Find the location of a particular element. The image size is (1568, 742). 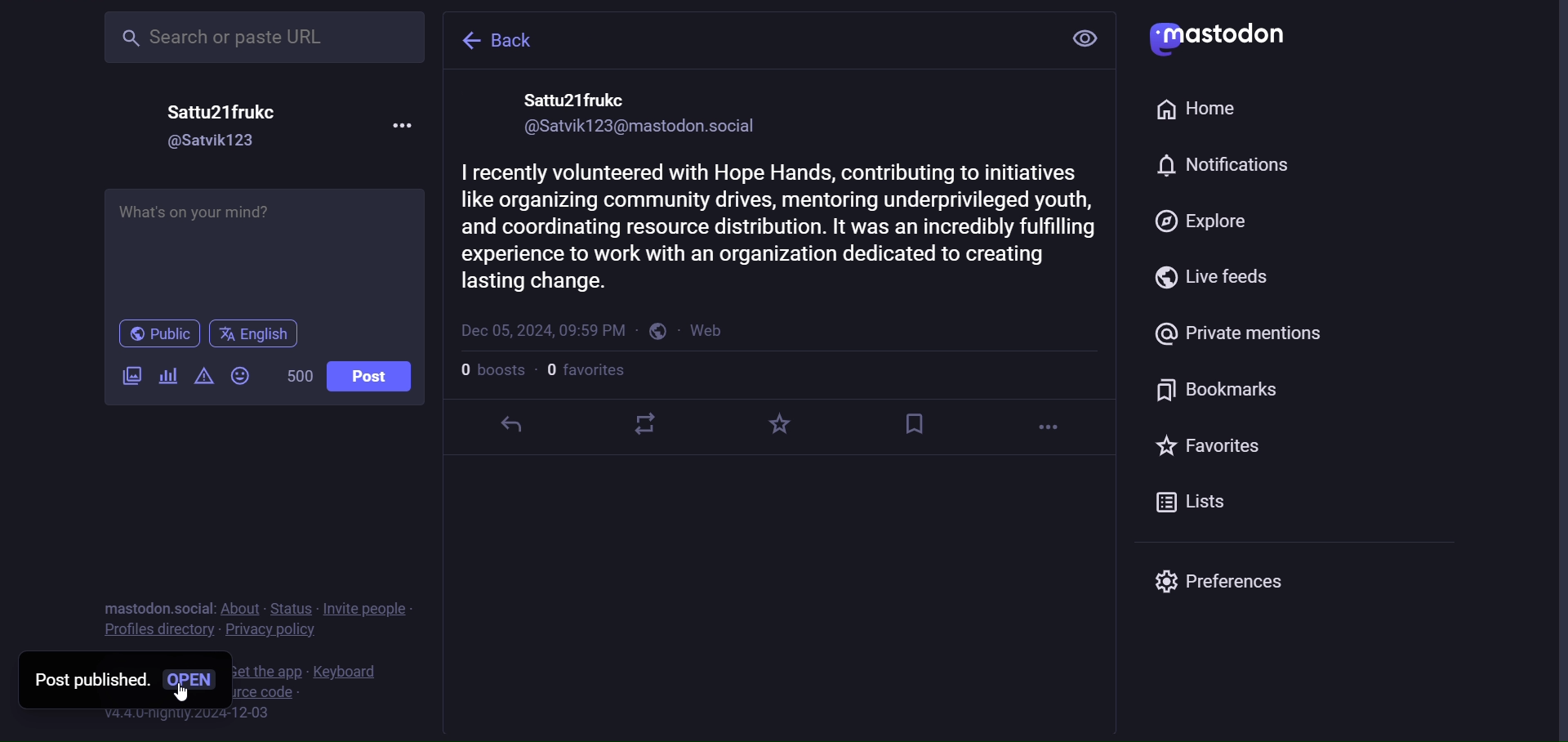

preferences is located at coordinates (1225, 579).